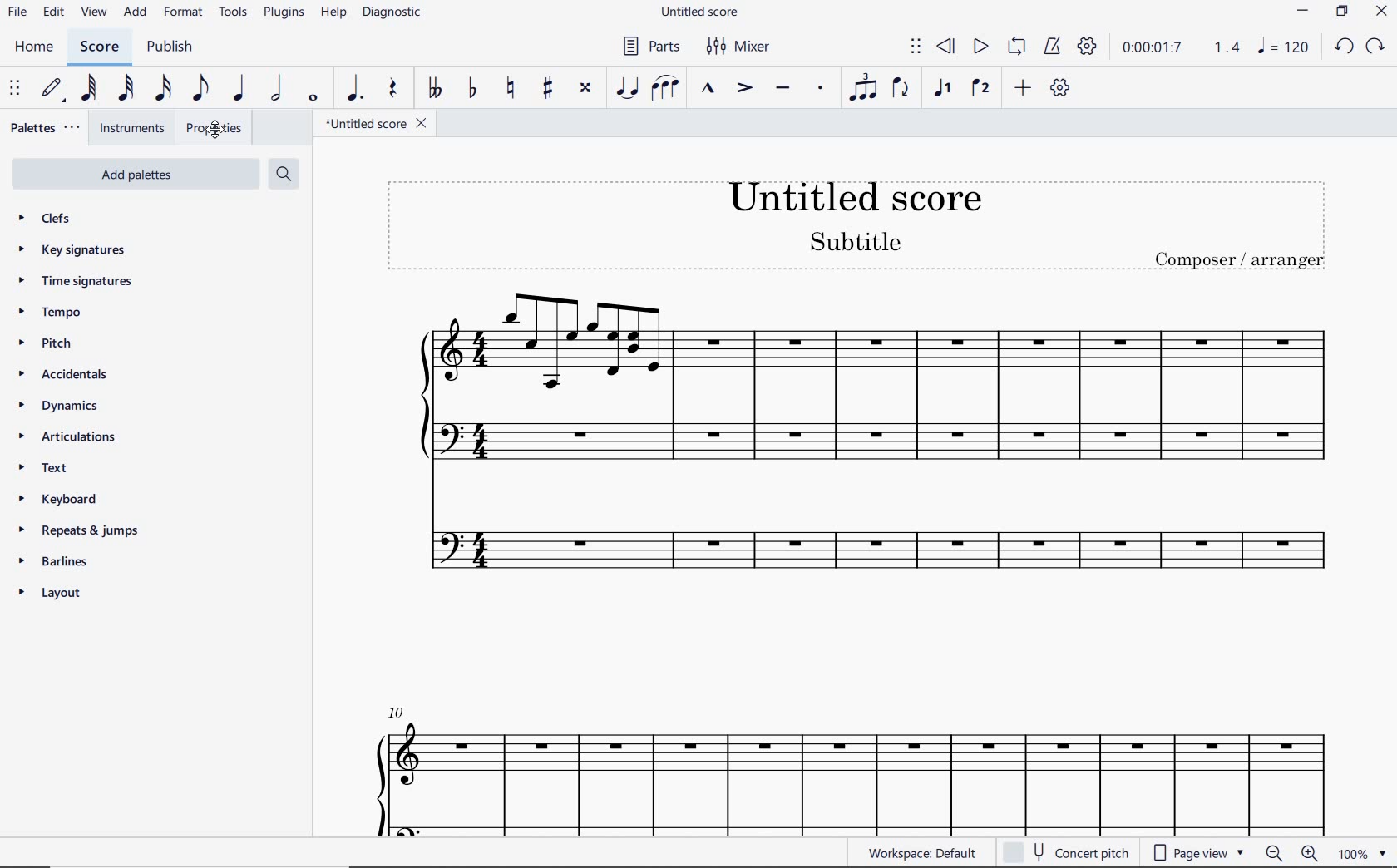 This screenshot has width=1397, height=868. Describe the element at coordinates (1365, 853) in the screenshot. I see `ZOOM FACTOR` at that location.